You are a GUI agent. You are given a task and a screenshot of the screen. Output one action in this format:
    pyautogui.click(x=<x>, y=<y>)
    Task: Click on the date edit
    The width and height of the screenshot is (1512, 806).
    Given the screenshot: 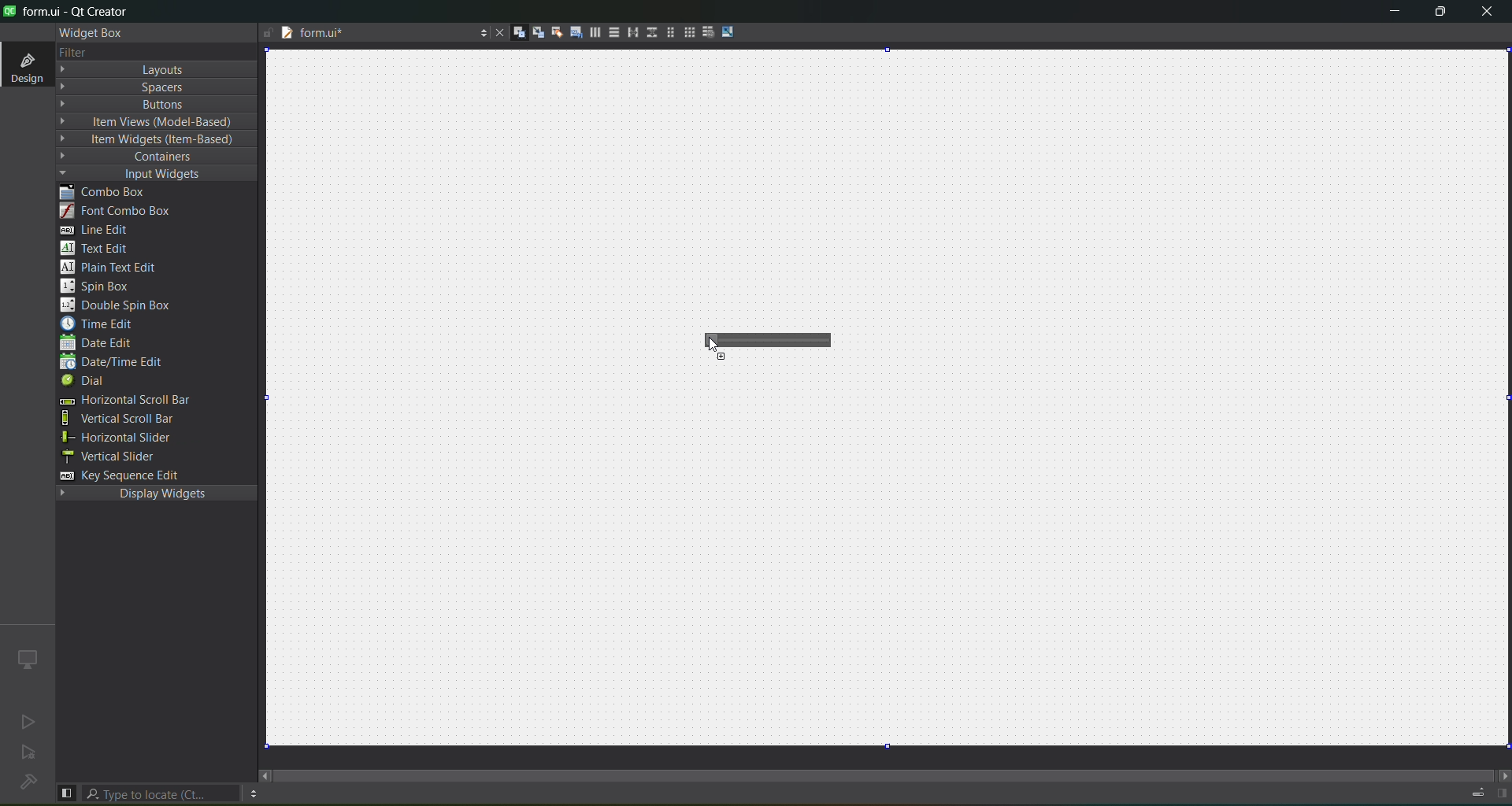 What is the action you would take?
    pyautogui.click(x=108, y=342)
    